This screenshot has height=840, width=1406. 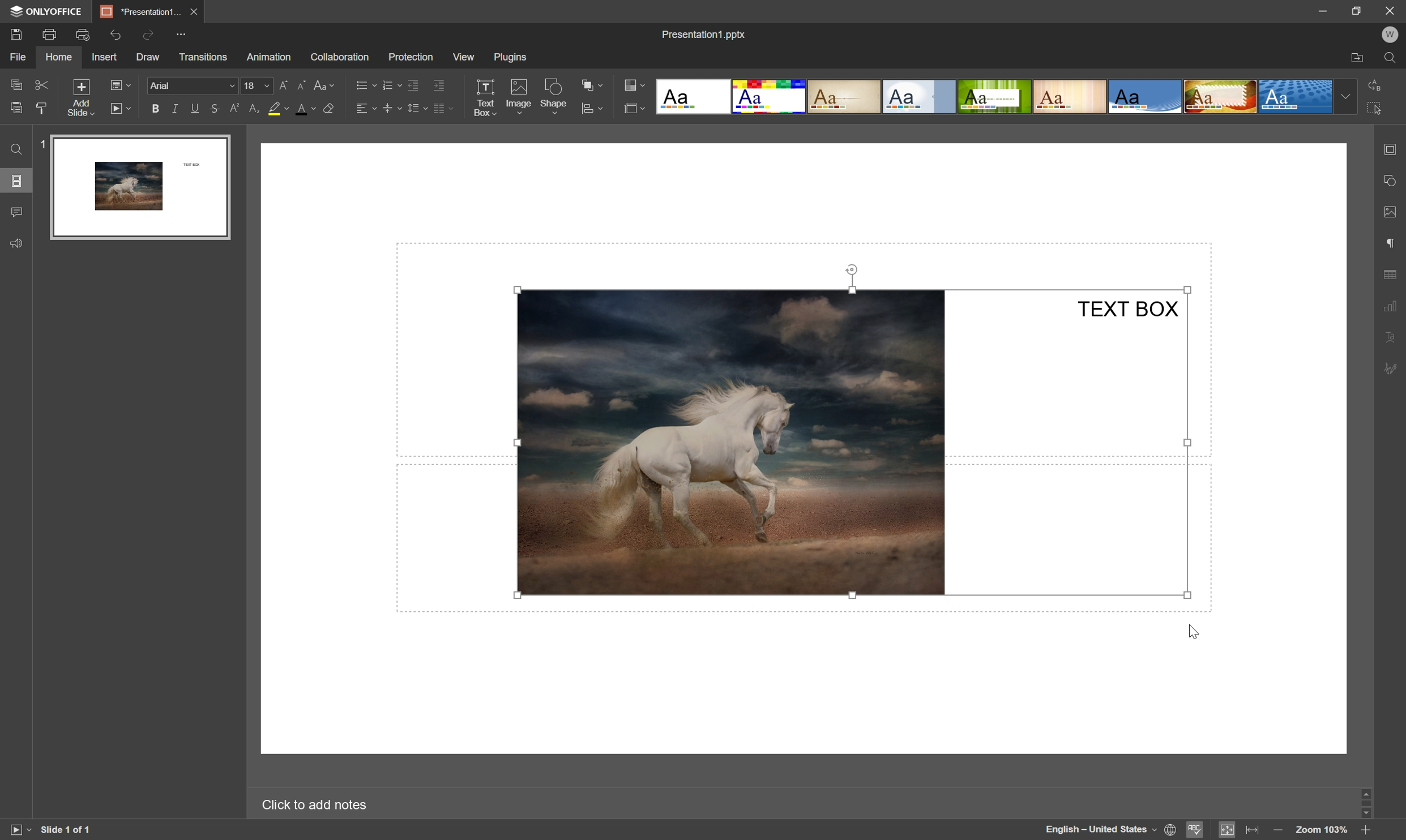 What do you see at coordinates (1321, 9) in the screenshot?
I see `minimize` at bounding box center [1321, 9].